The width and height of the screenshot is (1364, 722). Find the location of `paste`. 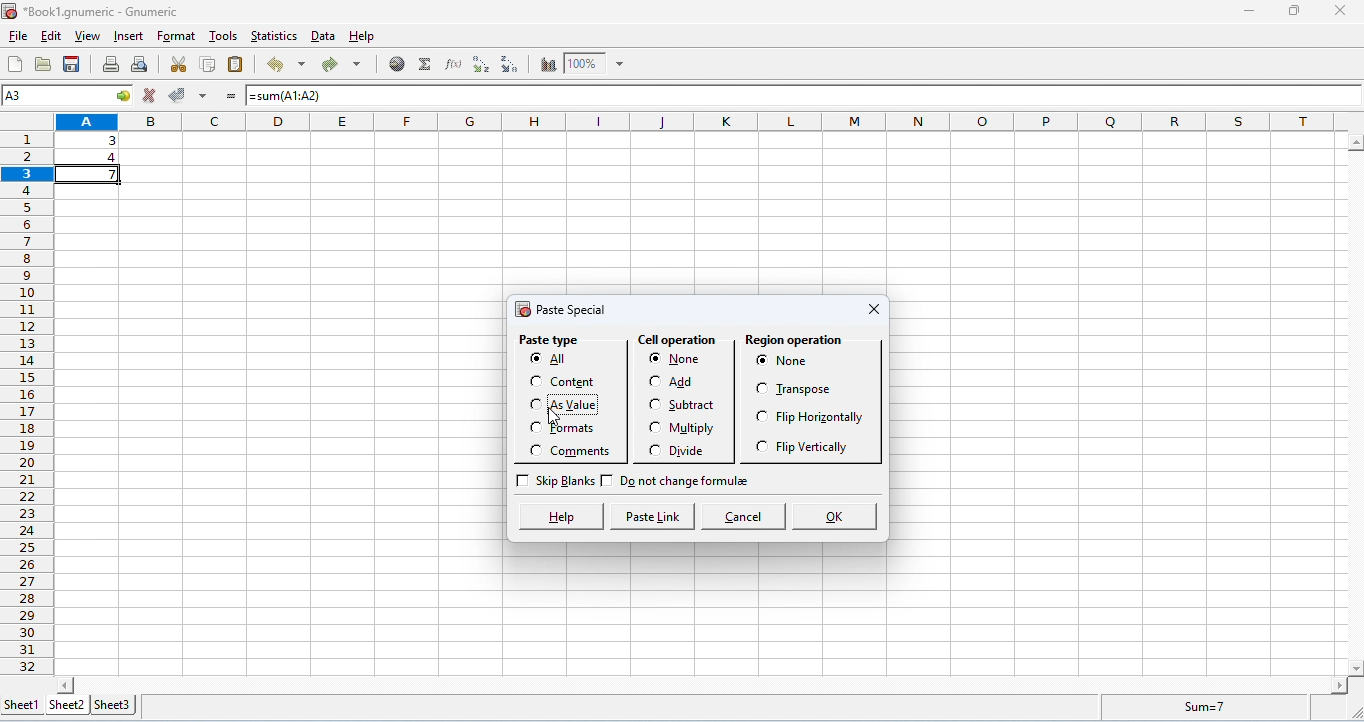

paste is located at coordinates (237, 64).